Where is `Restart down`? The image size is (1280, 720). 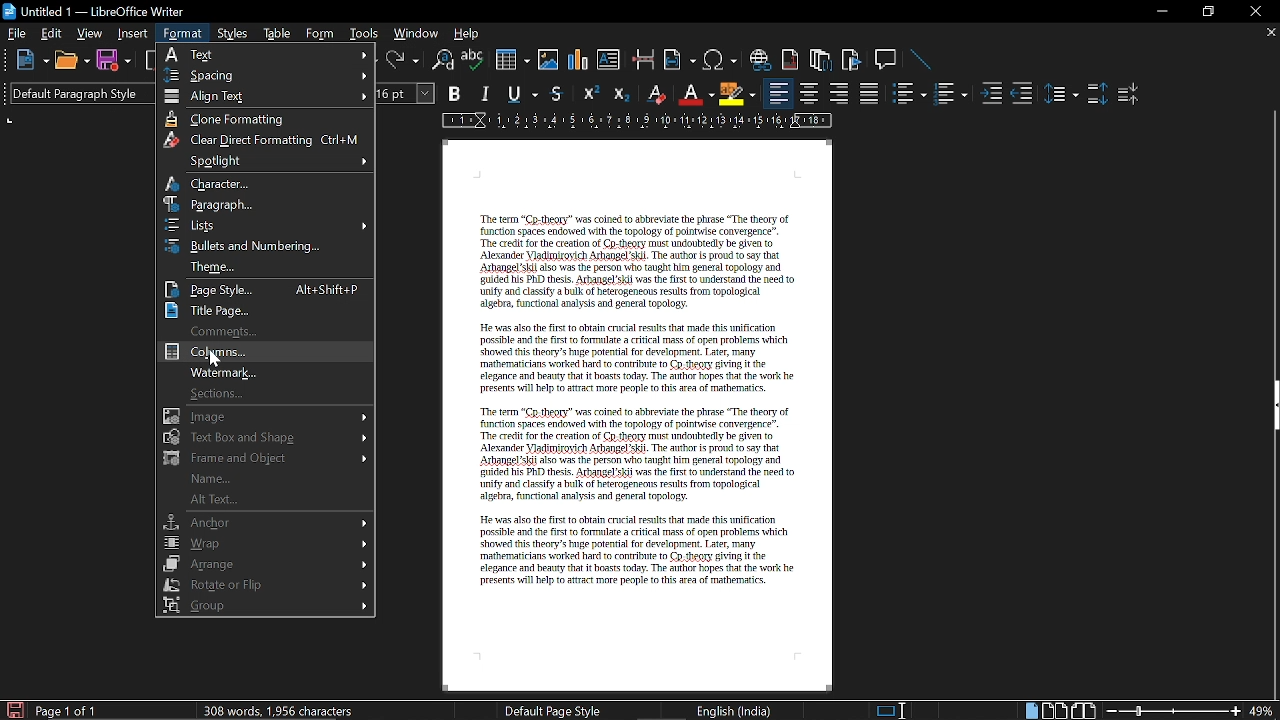 Restart down is located at coordinates (1206, 14).